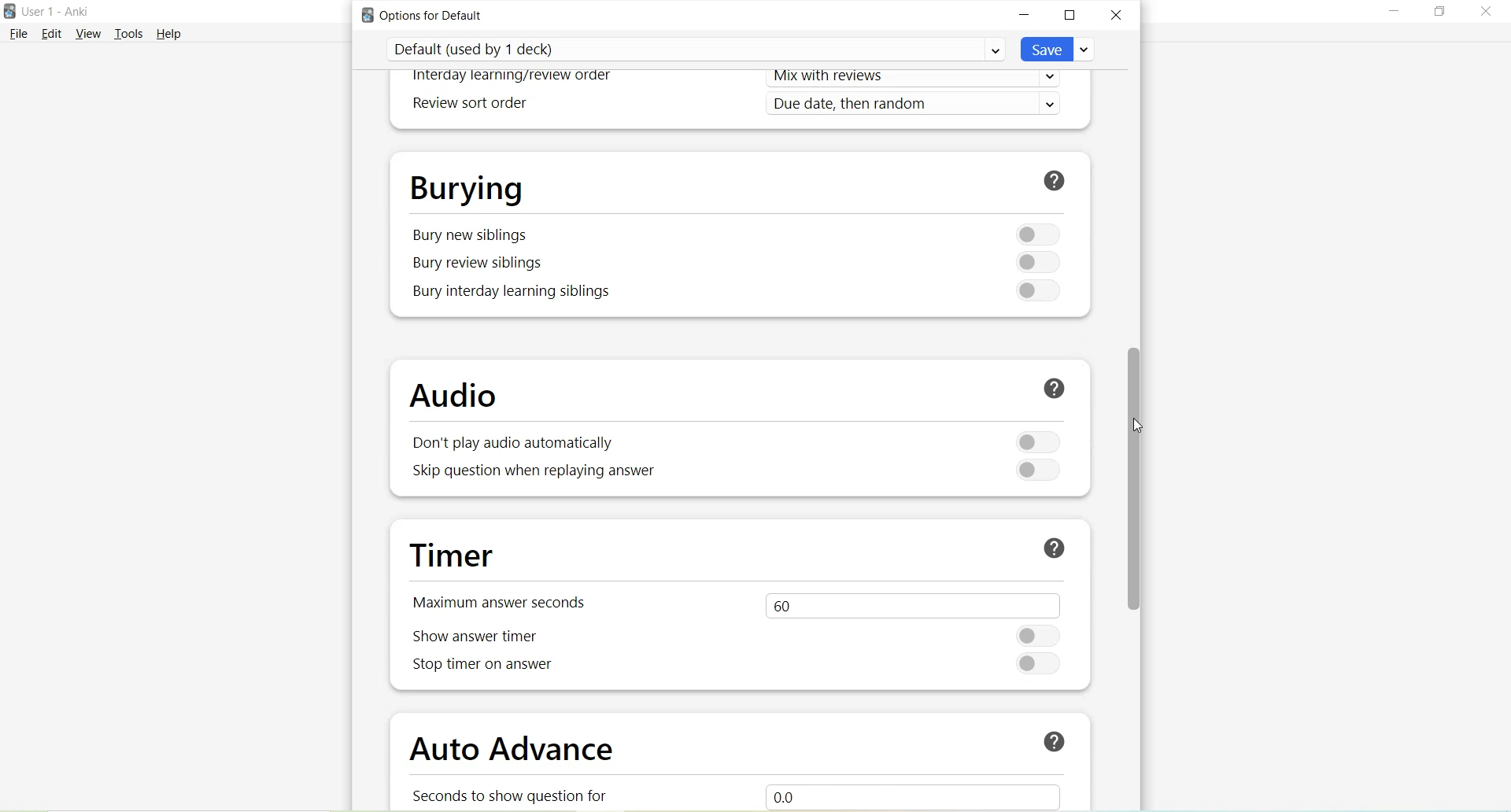 The height and width of the screenshot is (812, 1511). I want to click on Maximize, so click(1439, 12).